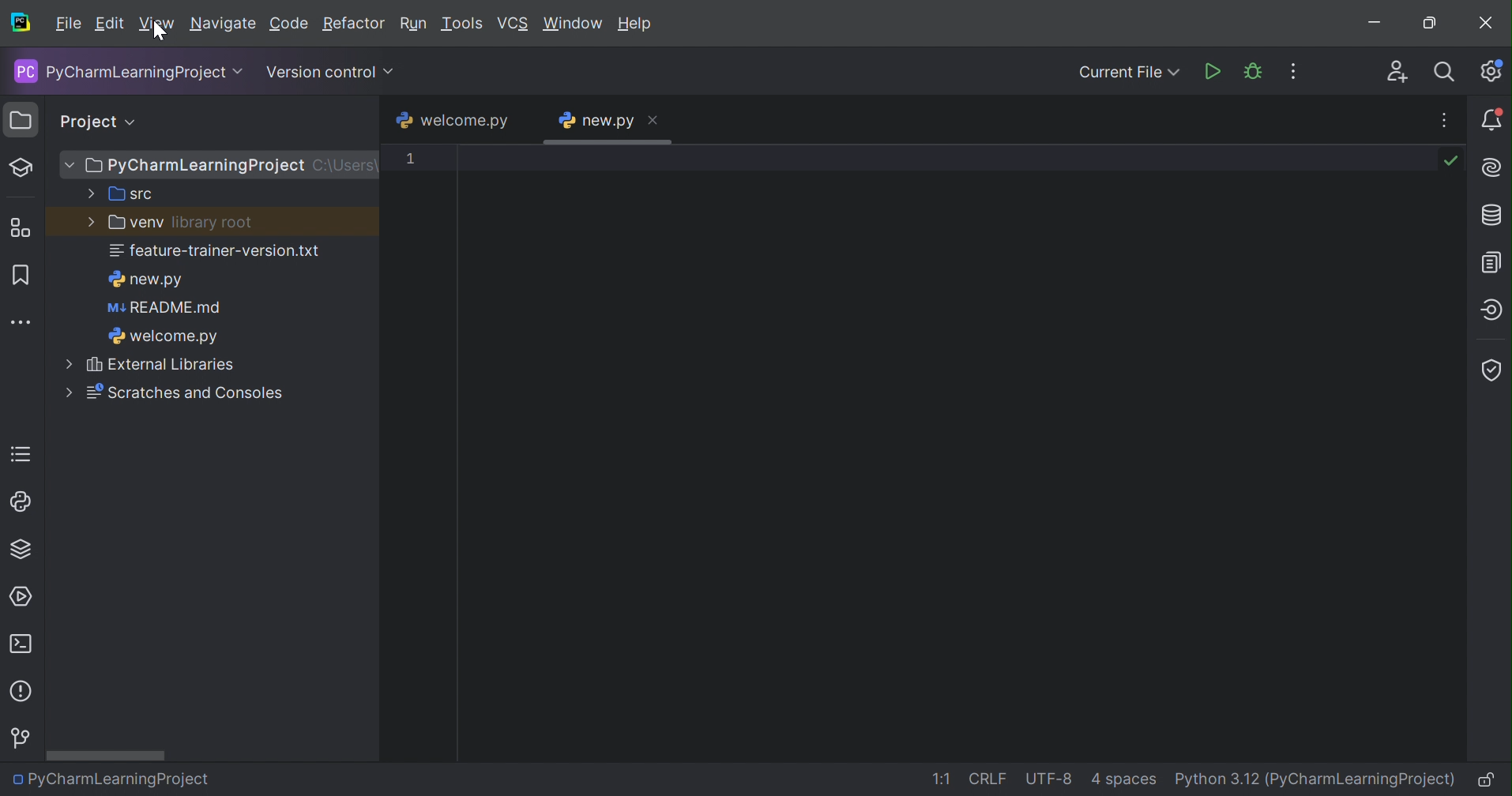  I want to click on Bookmarks, so click(18, 273).